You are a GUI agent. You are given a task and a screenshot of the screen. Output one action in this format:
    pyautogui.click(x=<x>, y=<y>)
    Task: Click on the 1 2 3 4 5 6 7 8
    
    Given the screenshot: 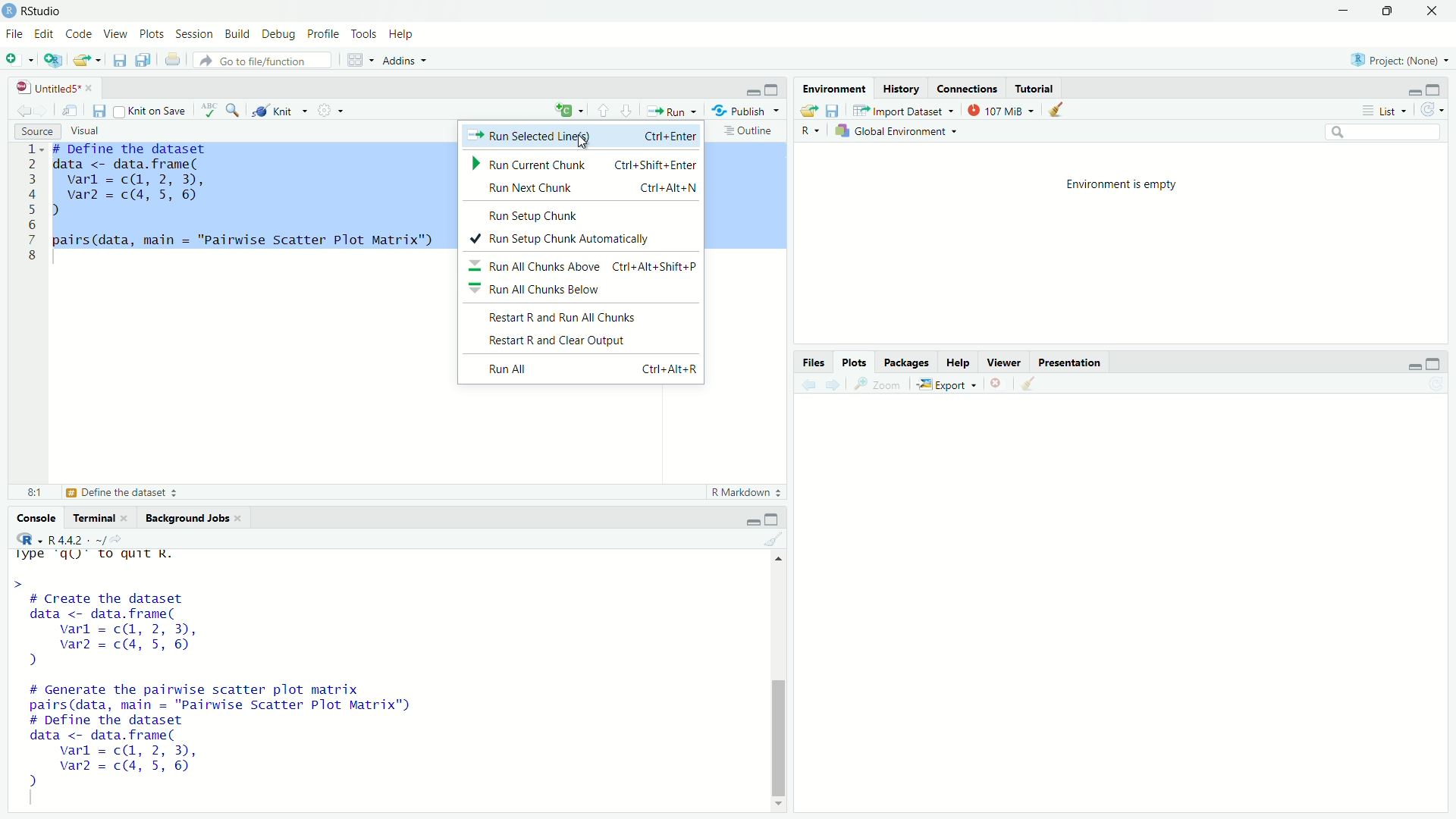 What is the action you would take?
    pyautogui.click(x=31, y=206)
    